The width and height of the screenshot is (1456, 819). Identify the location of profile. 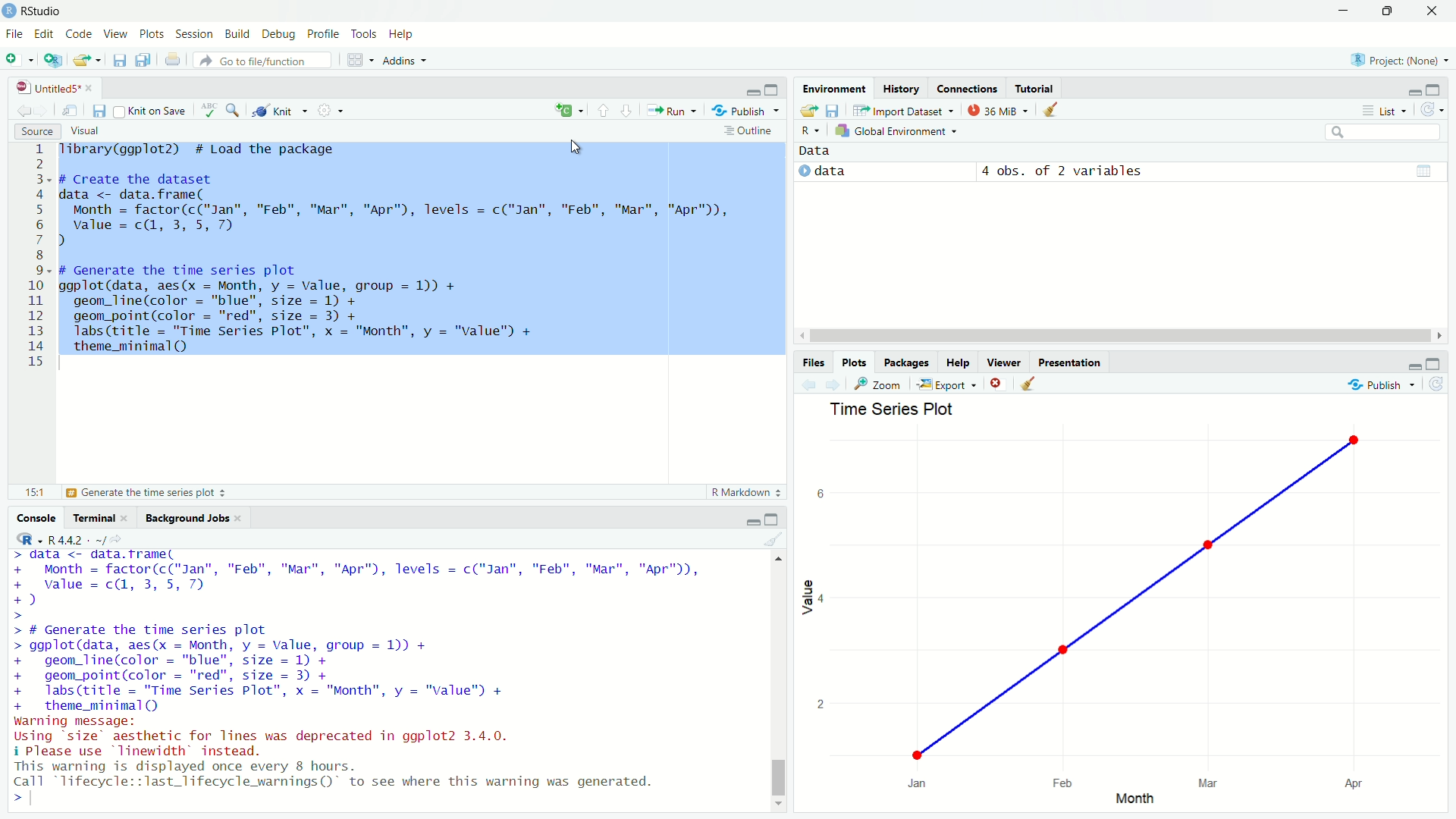
(325, 34).